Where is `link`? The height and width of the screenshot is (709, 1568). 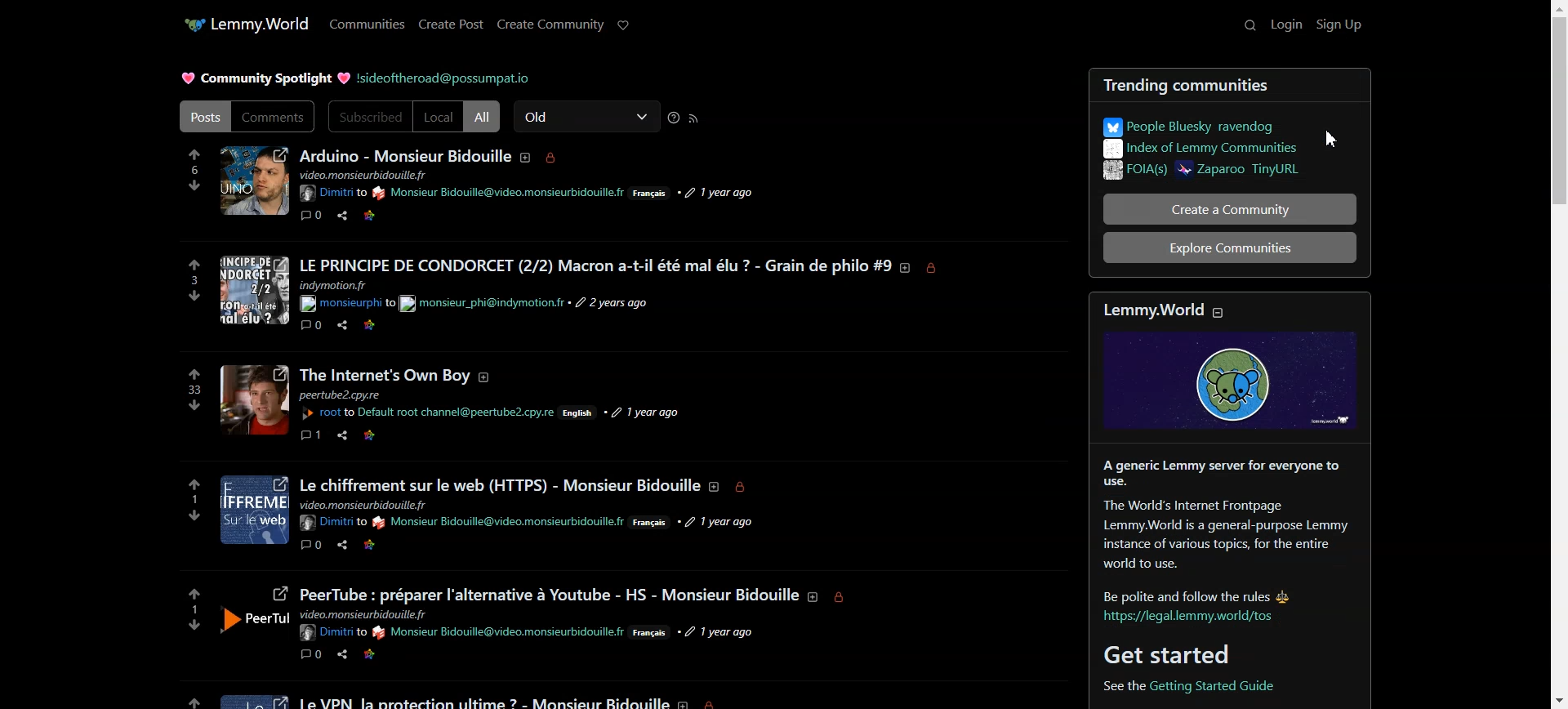
link is located at coordinates (367, 654).